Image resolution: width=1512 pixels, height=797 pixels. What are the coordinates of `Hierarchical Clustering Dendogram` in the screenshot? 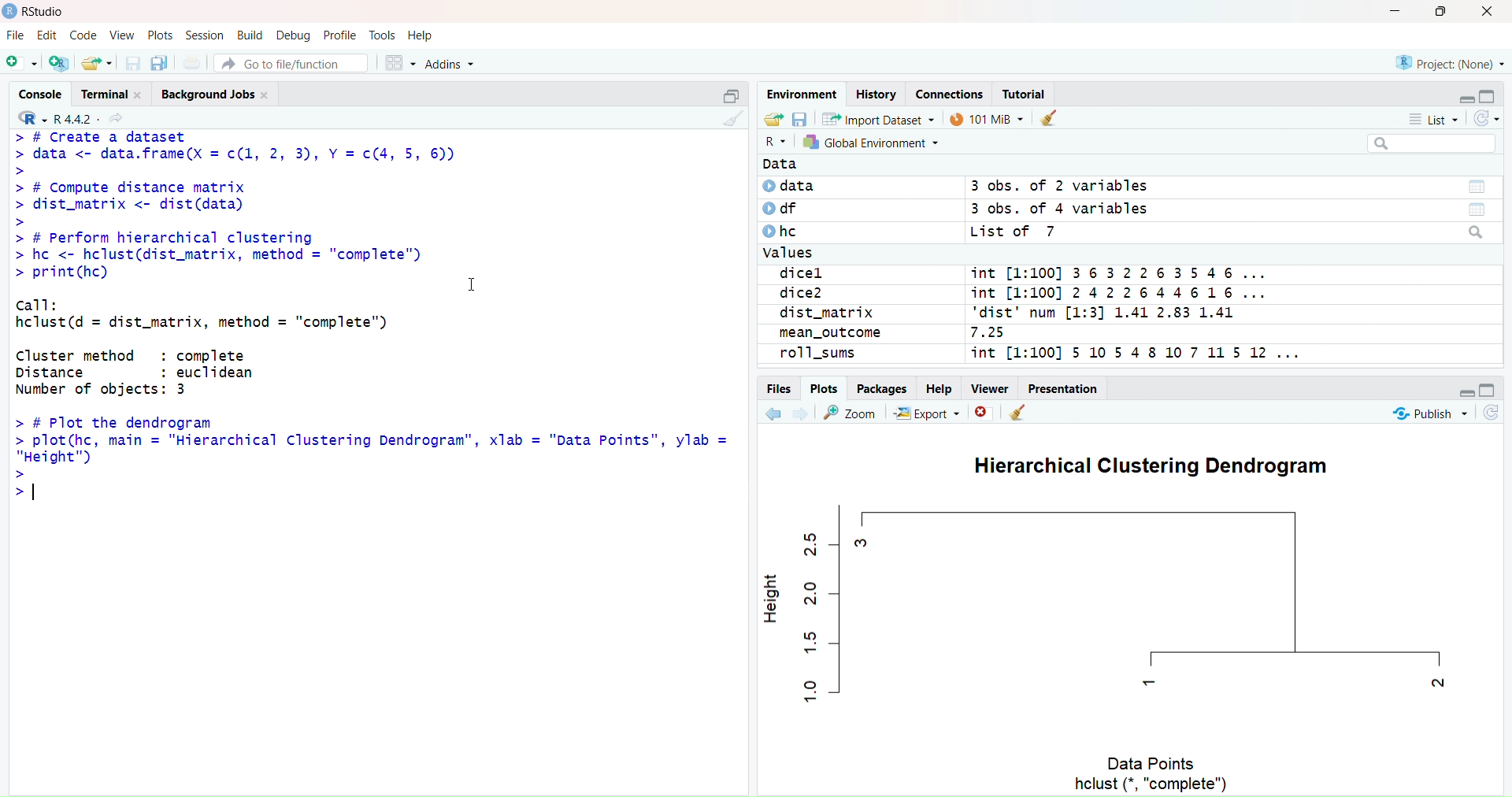 It's located at (1151, 465).